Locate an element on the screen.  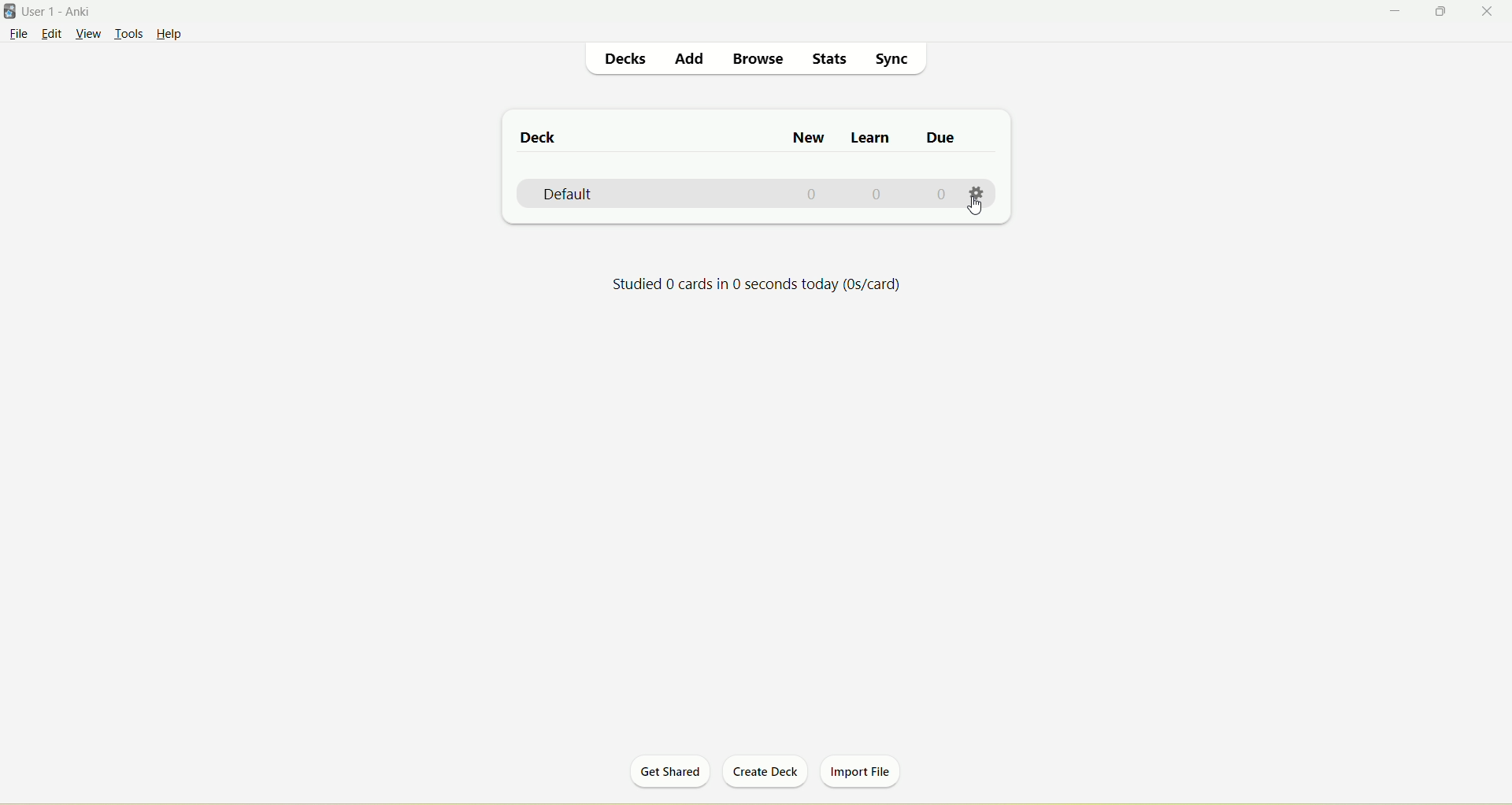
learn is located at coordinates (872, 139).